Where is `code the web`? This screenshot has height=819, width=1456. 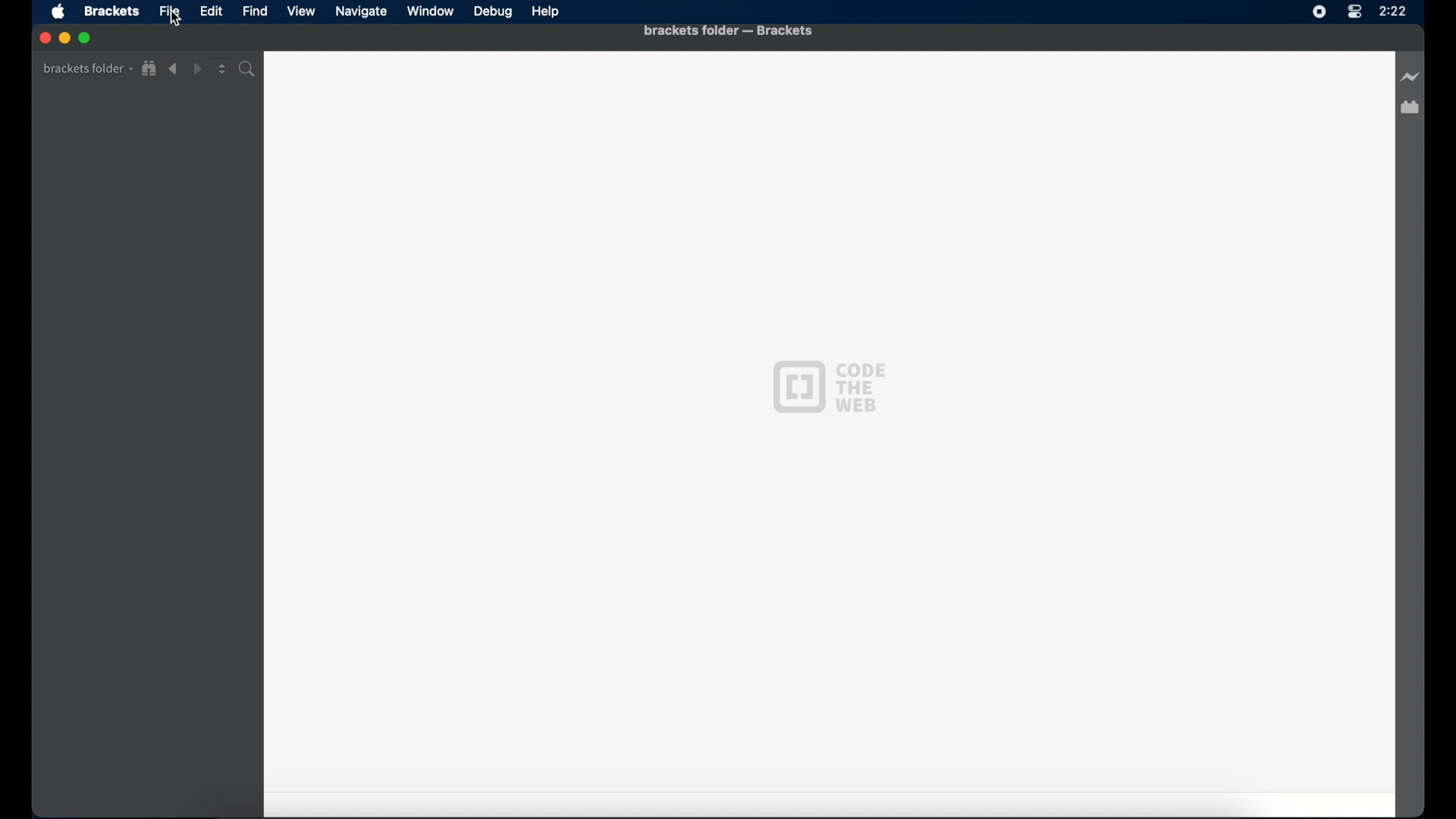
code the web is located at coordinates (828, 387).